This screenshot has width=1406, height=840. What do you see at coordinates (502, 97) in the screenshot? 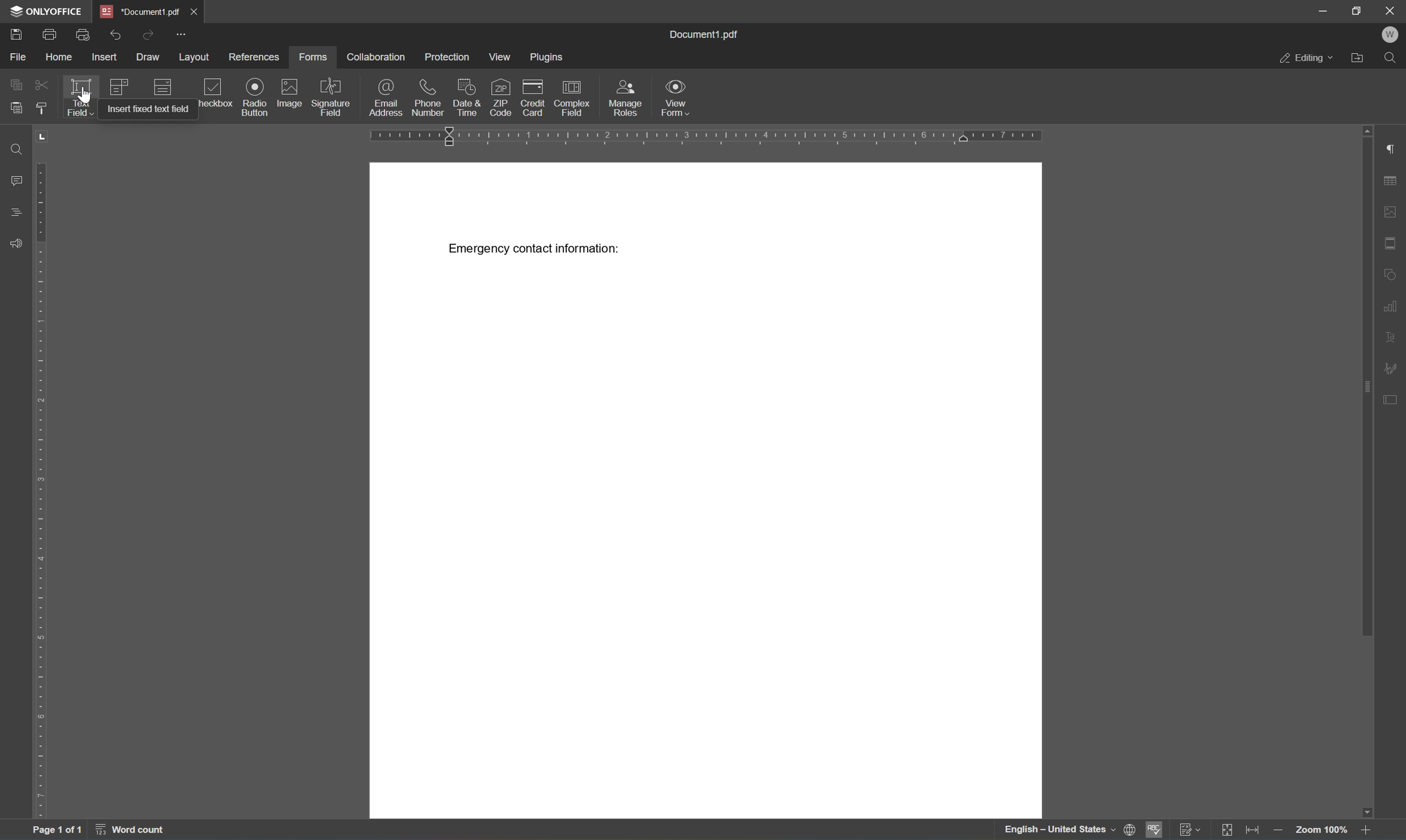
I see `zip code` at bounding box center [502, 97].